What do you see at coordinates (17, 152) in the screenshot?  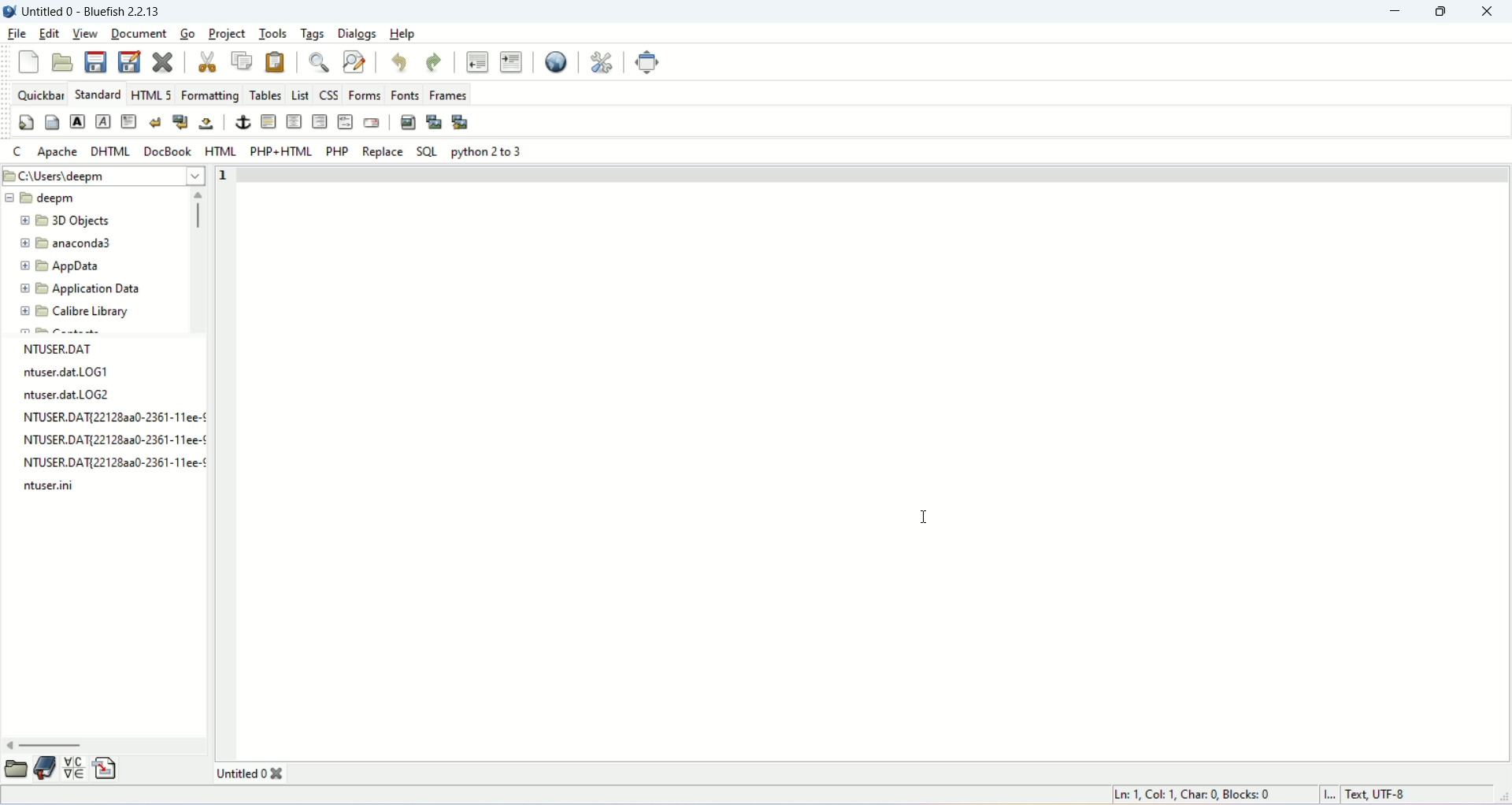 I see `C` at bounding box center [17, 152].